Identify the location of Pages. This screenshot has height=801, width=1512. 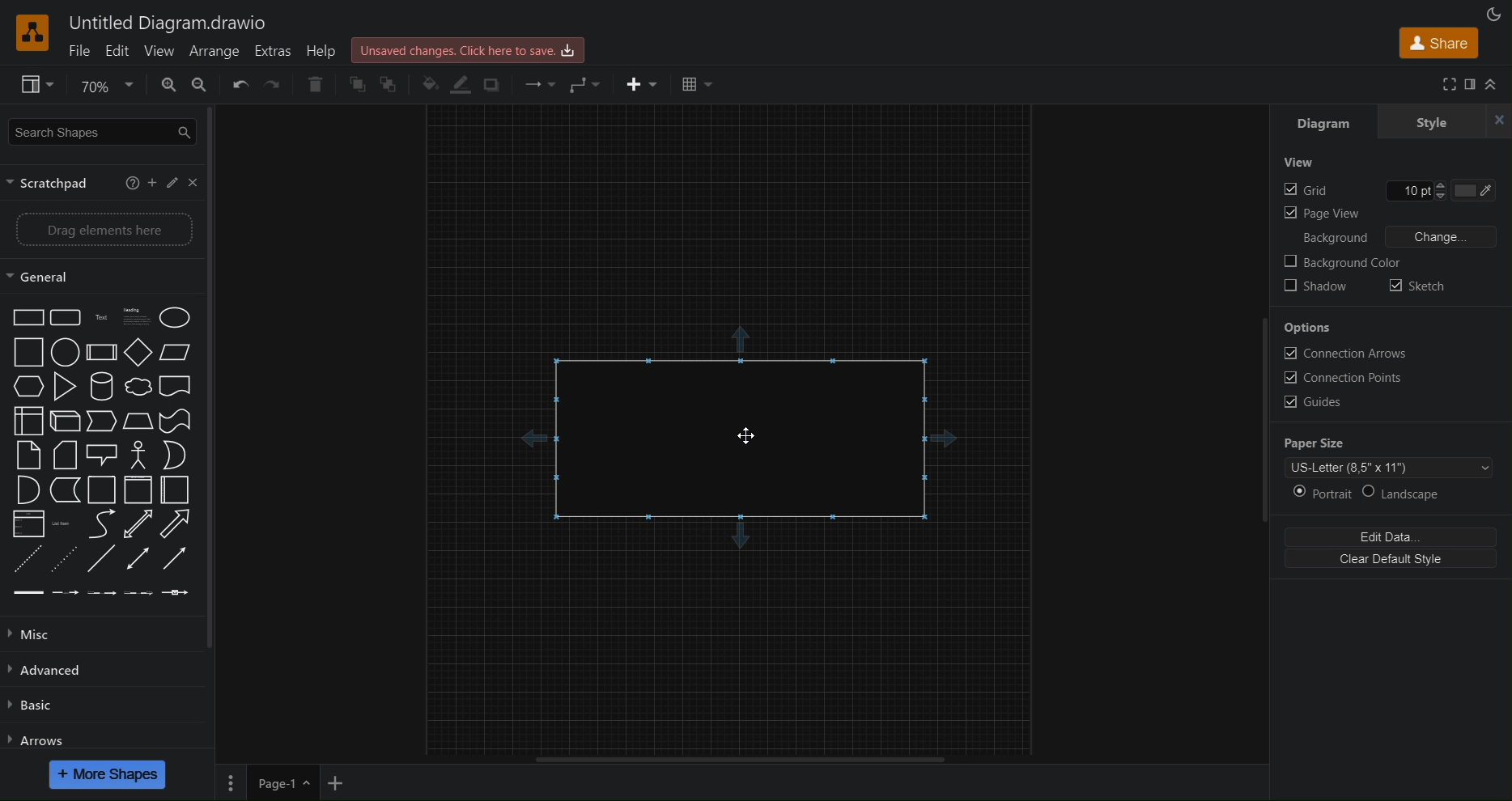
(233, 782).